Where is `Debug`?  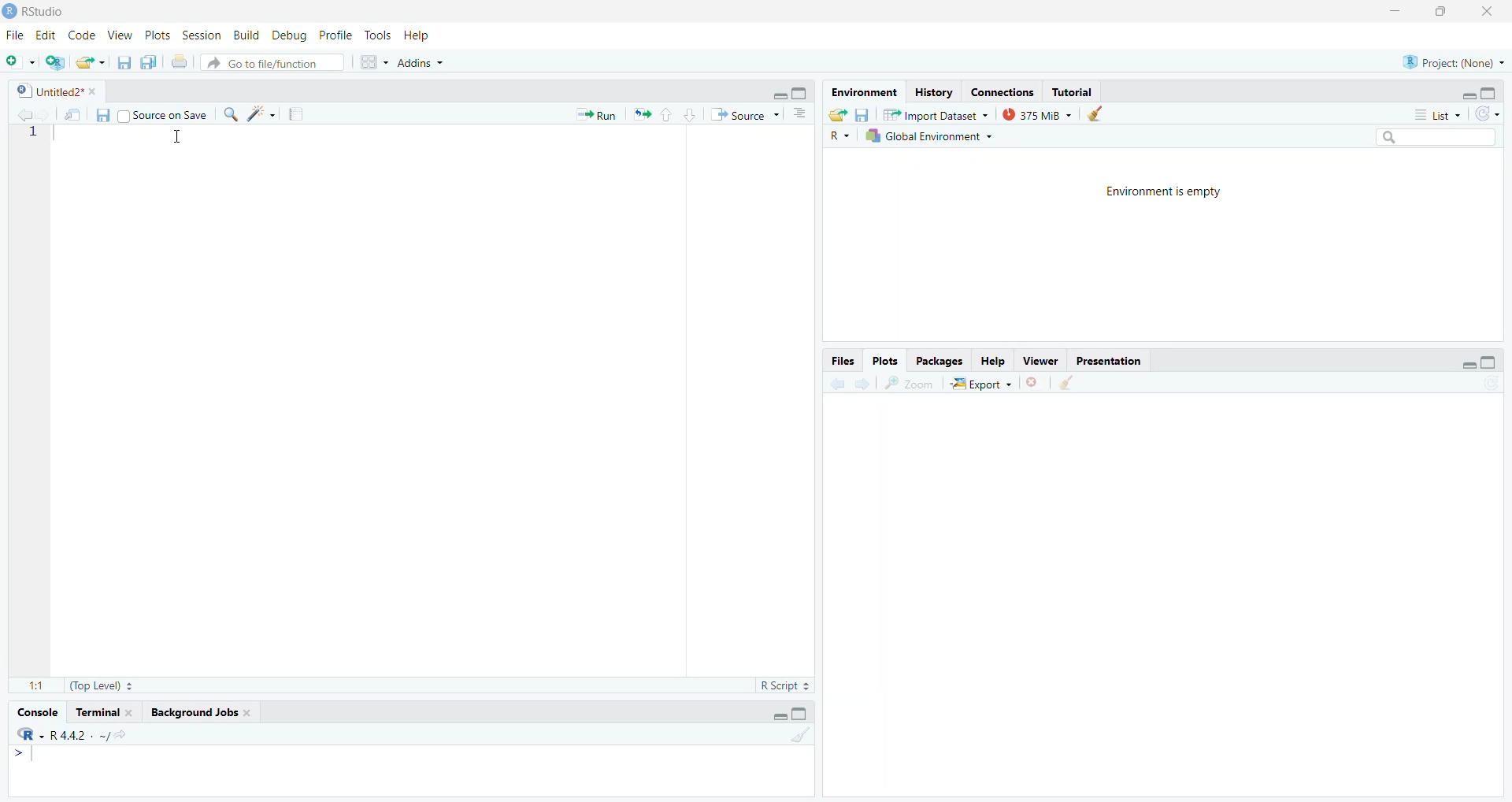
Debug is located at coordinates (287, 35).